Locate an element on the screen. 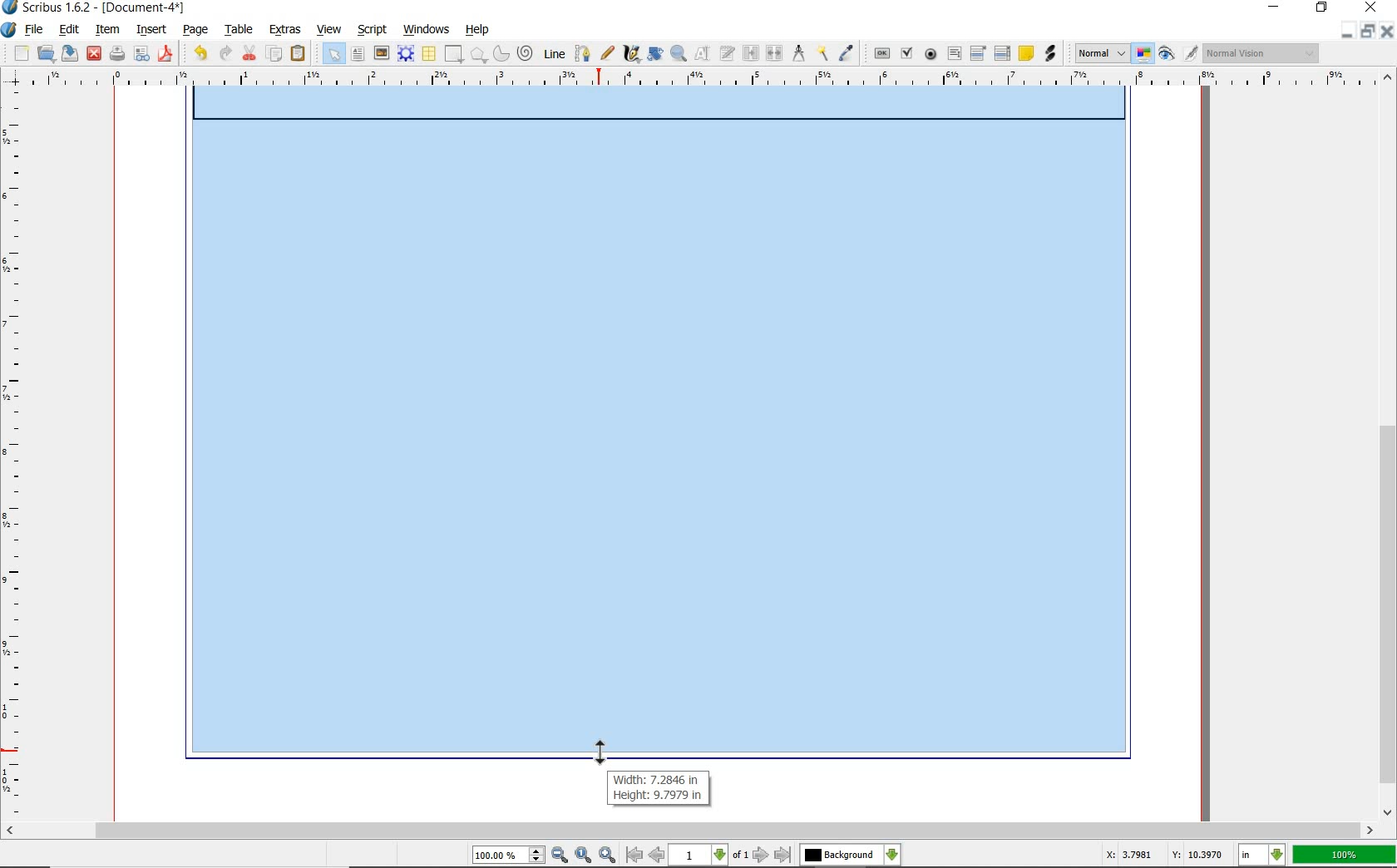 This screenshot has height=868, width=1397. paste is located at coordinates (298, 54).